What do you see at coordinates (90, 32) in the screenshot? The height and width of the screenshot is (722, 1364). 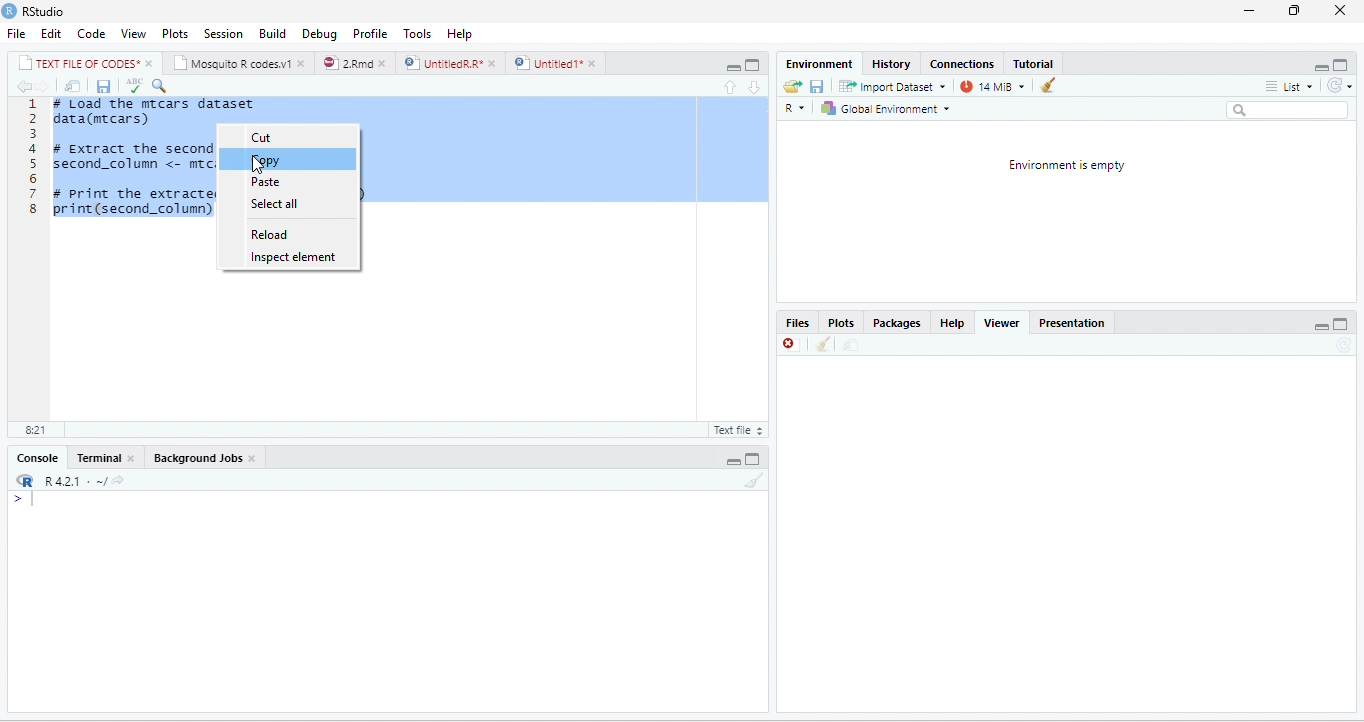 I see `Code` at bounding box center [90, 32].